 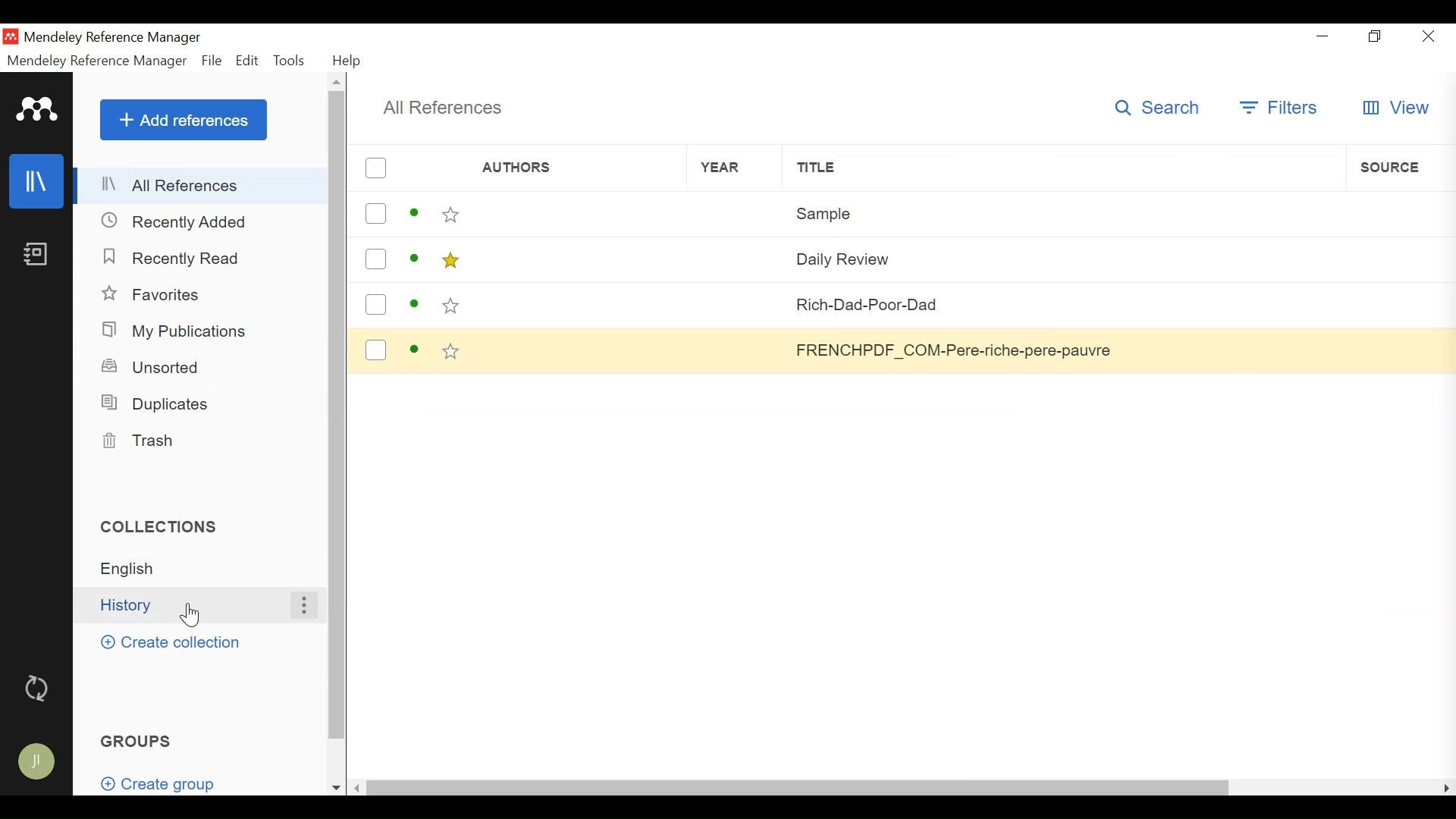 I want to click on Horizontal scroll bar, so click(x=799, y=786).